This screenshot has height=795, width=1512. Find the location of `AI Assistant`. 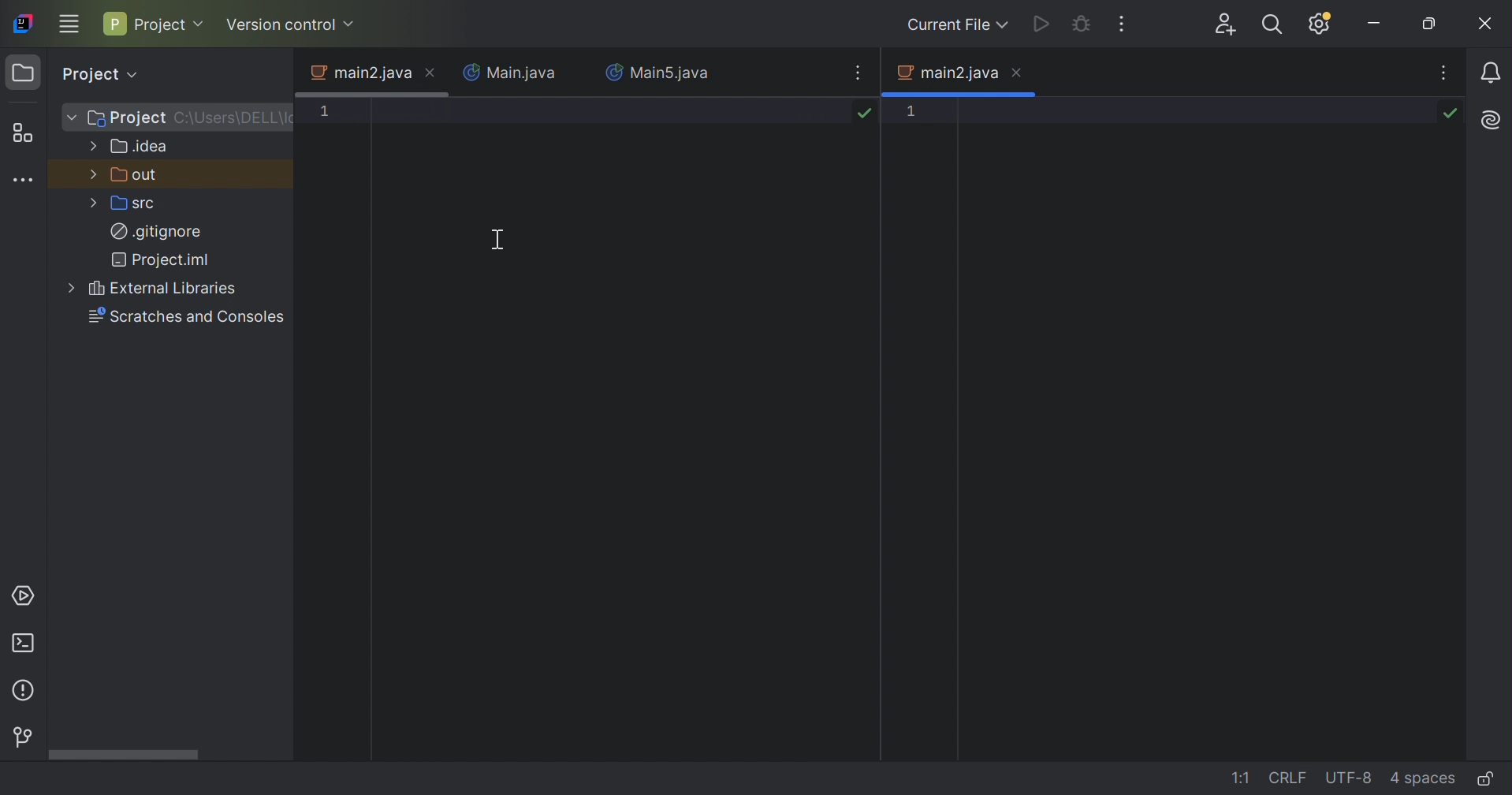

AI Assistant is located at coordinates (1491, 123).